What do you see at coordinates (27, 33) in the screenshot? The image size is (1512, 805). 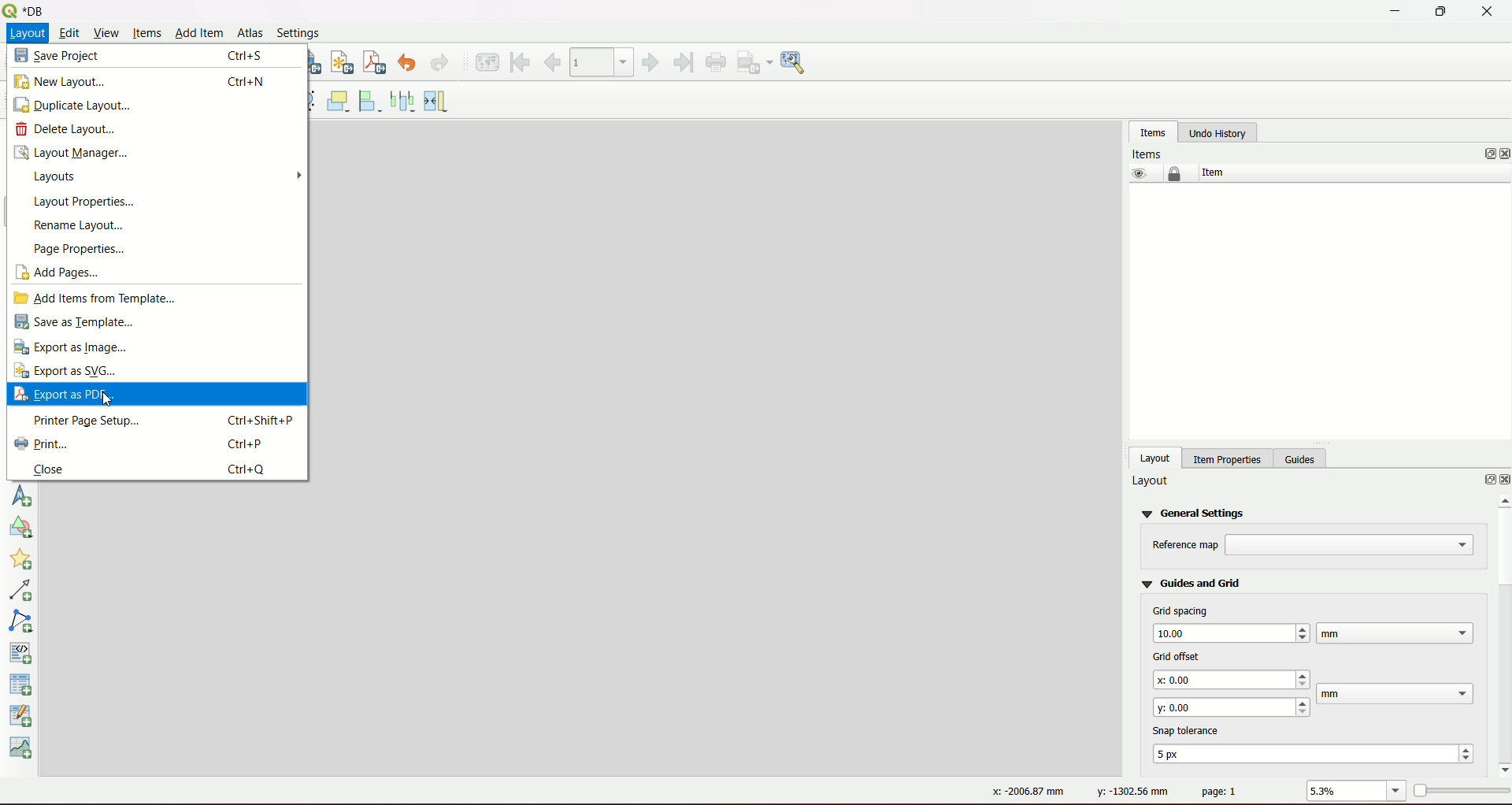 I see `Layout` at bounding box center [27, 33].